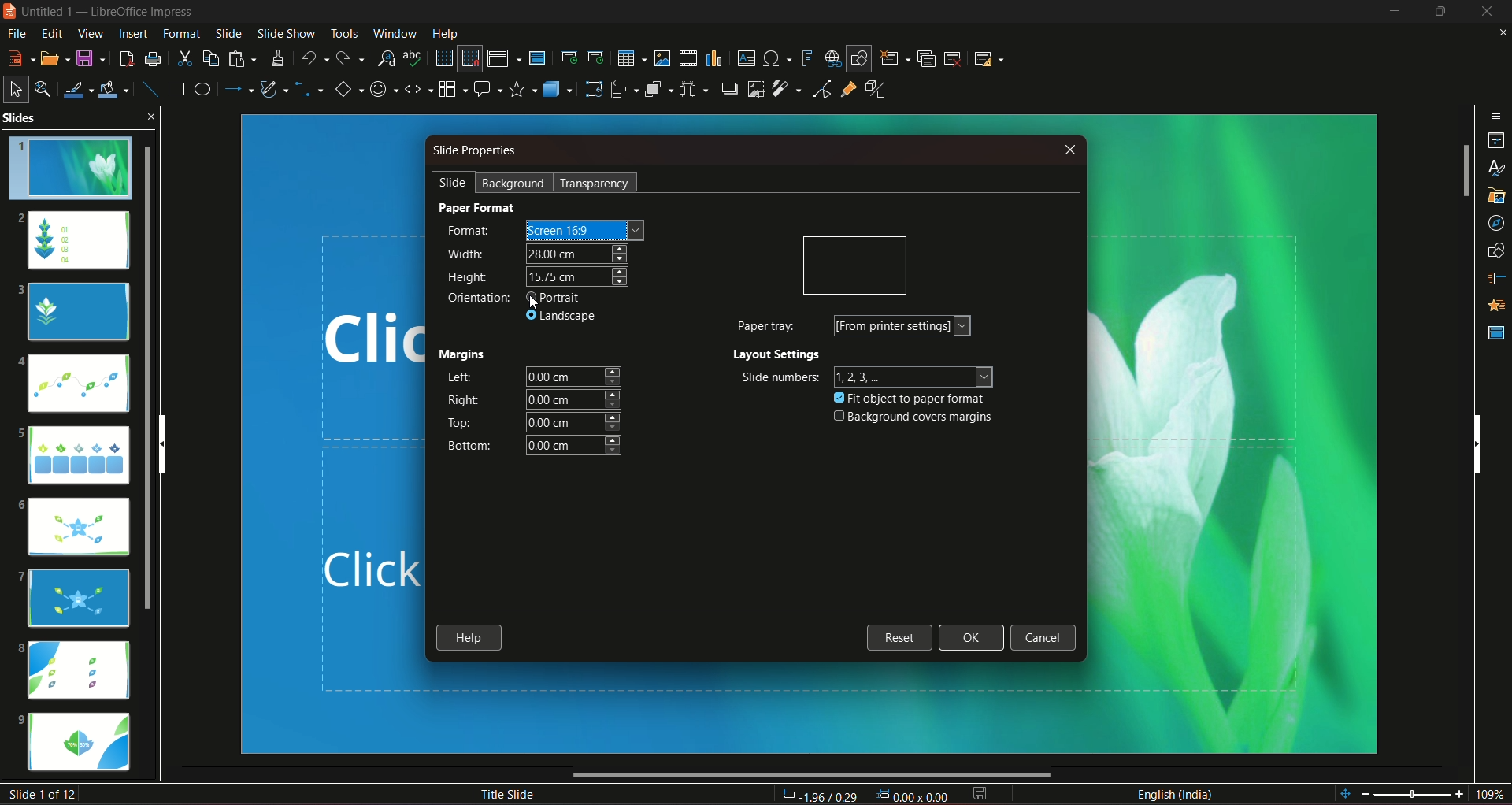 Image resolution: width=1512 pixels, height=805 pixels. What do you see at coordinates (80, 88) in the screenshot?
I see `line color` at bounding box center [80, 88].